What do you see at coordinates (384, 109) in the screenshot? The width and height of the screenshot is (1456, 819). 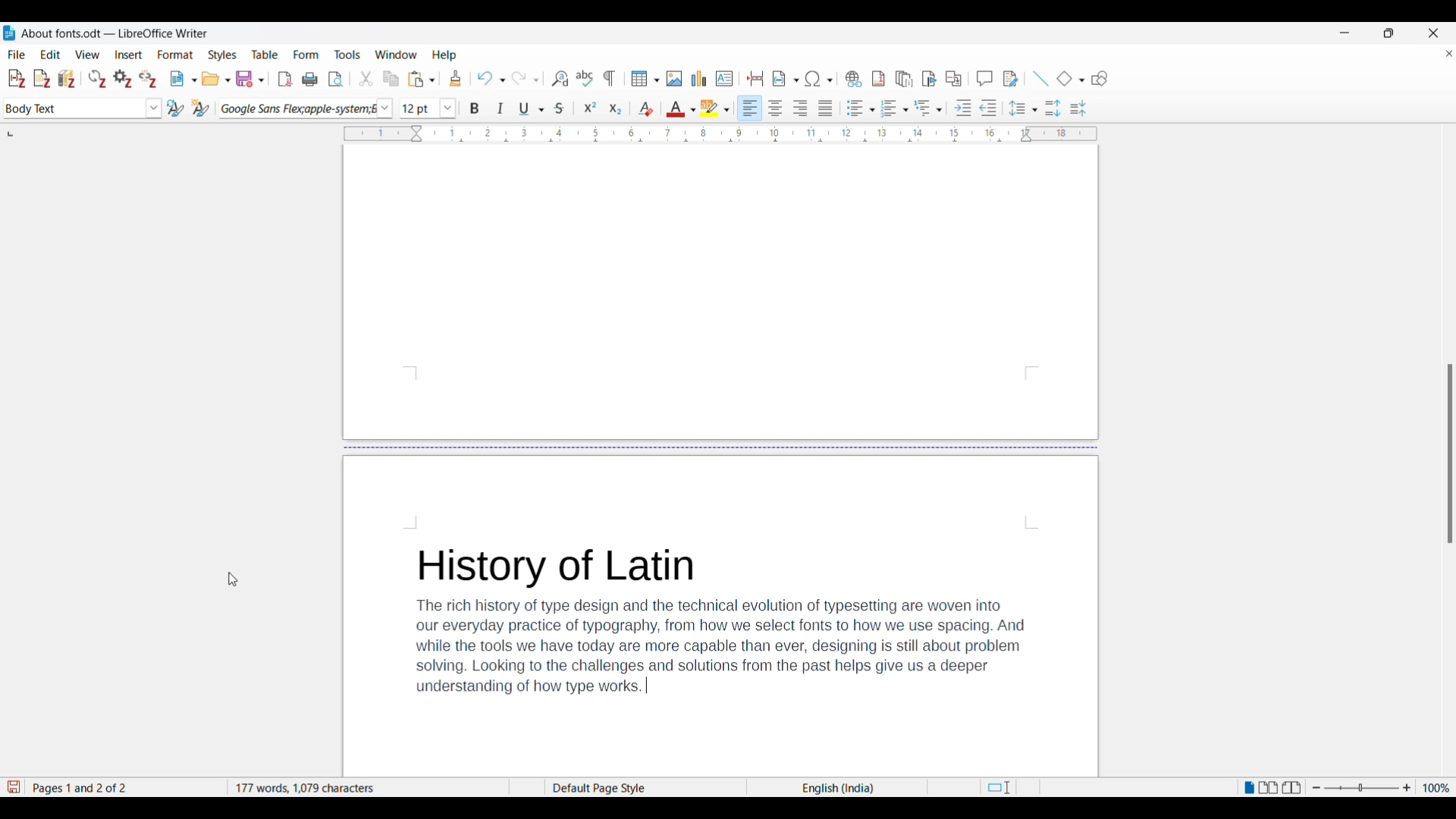 I see `Font options ` at bounding box center [384, 109].